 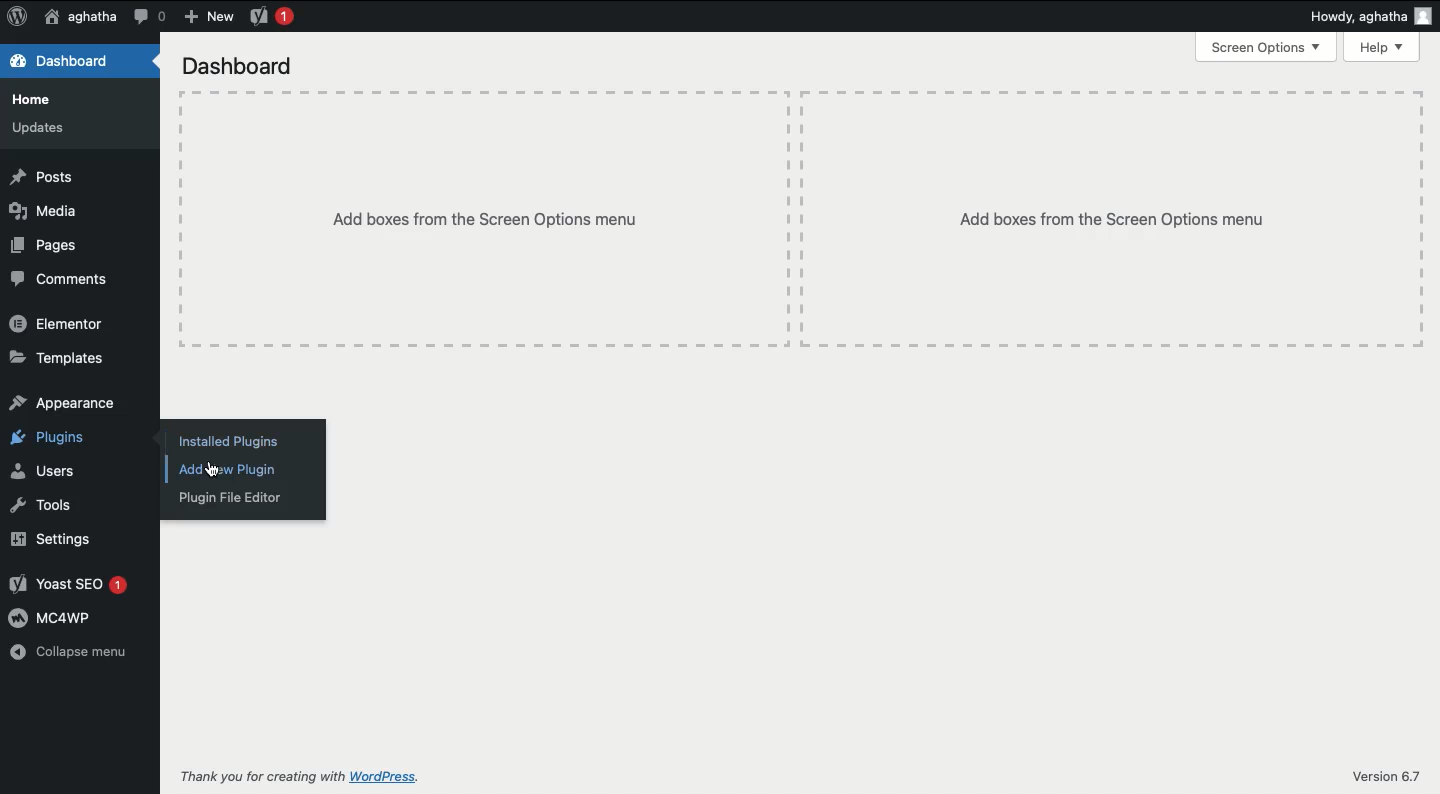 What do you see at coordinates (54, 538) in the screenshot?
I see `Settings` at bounding box center [54, 538].